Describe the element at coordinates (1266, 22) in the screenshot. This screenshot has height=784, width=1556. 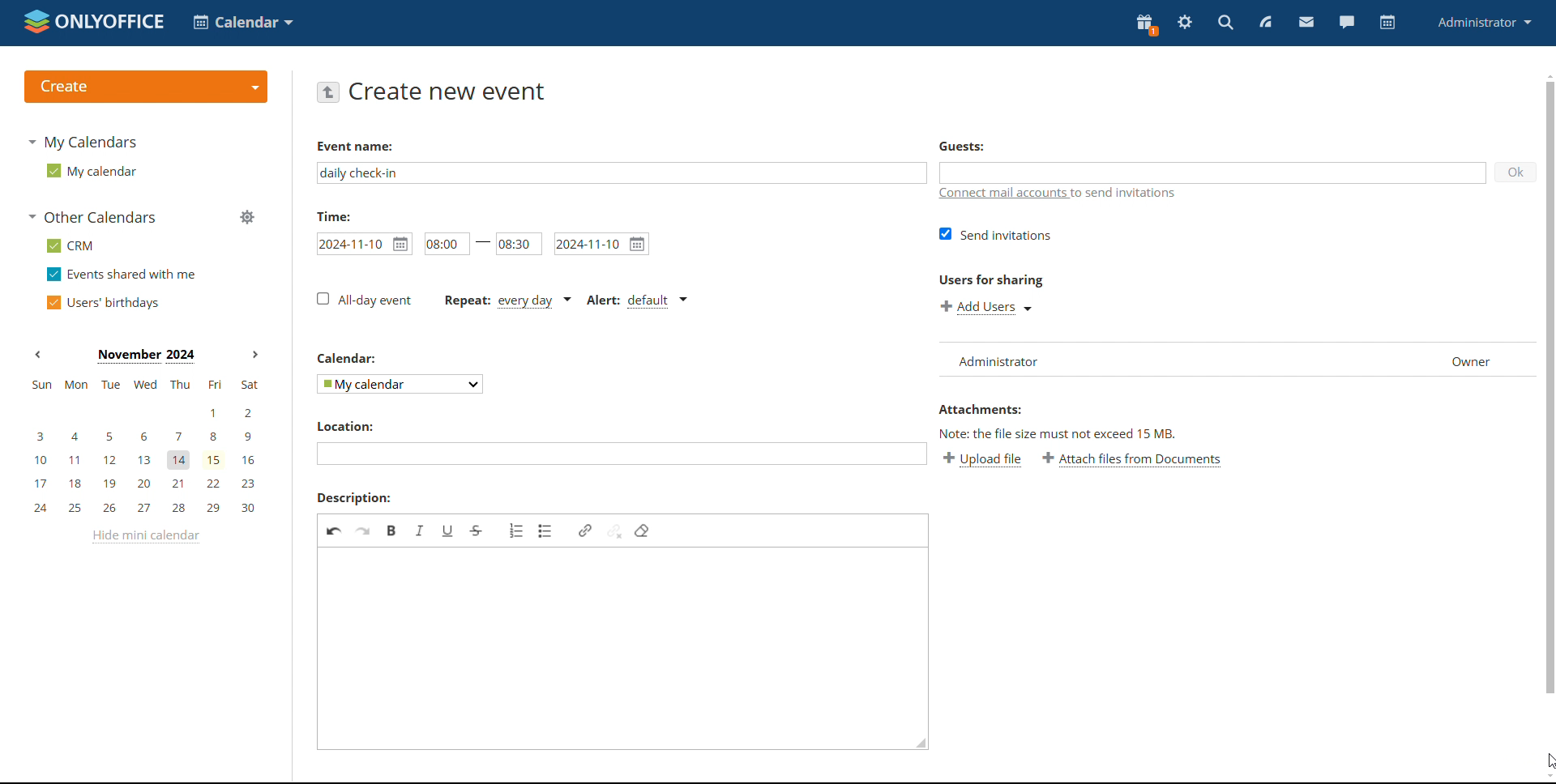
I see `feed` at that location.